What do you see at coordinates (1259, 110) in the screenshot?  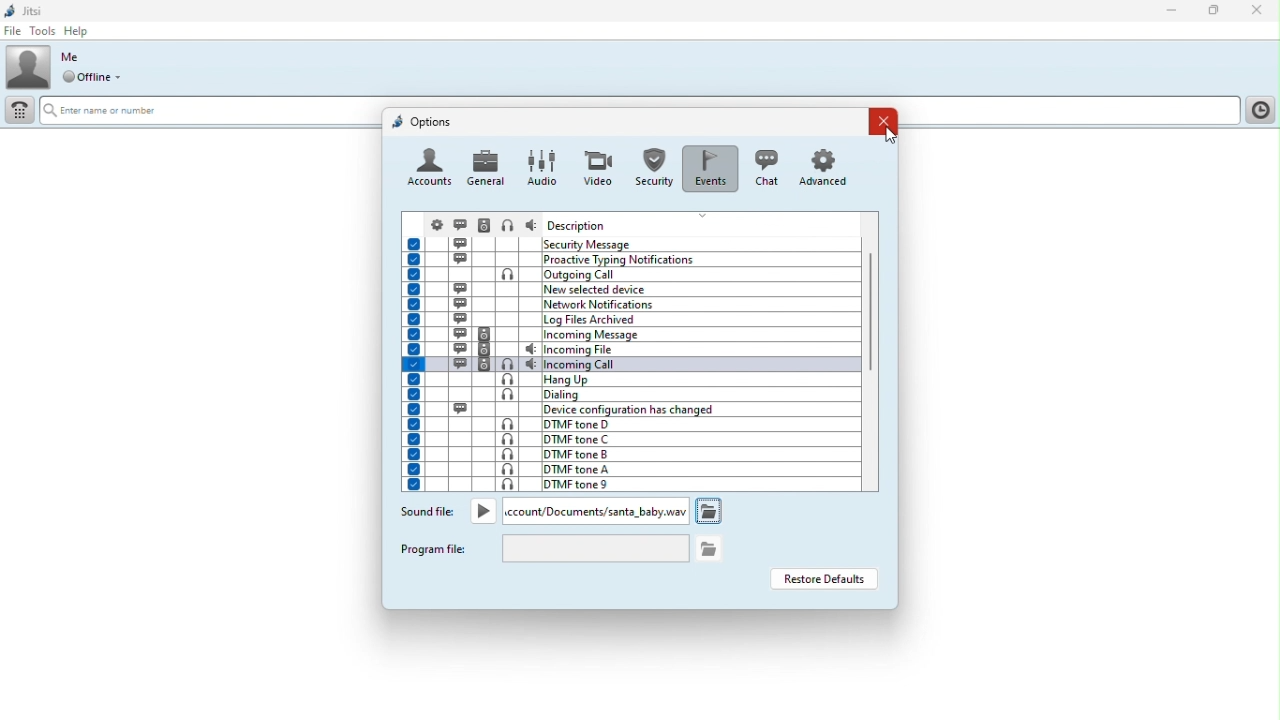 I see `History` at bounding box center [1259, 110].